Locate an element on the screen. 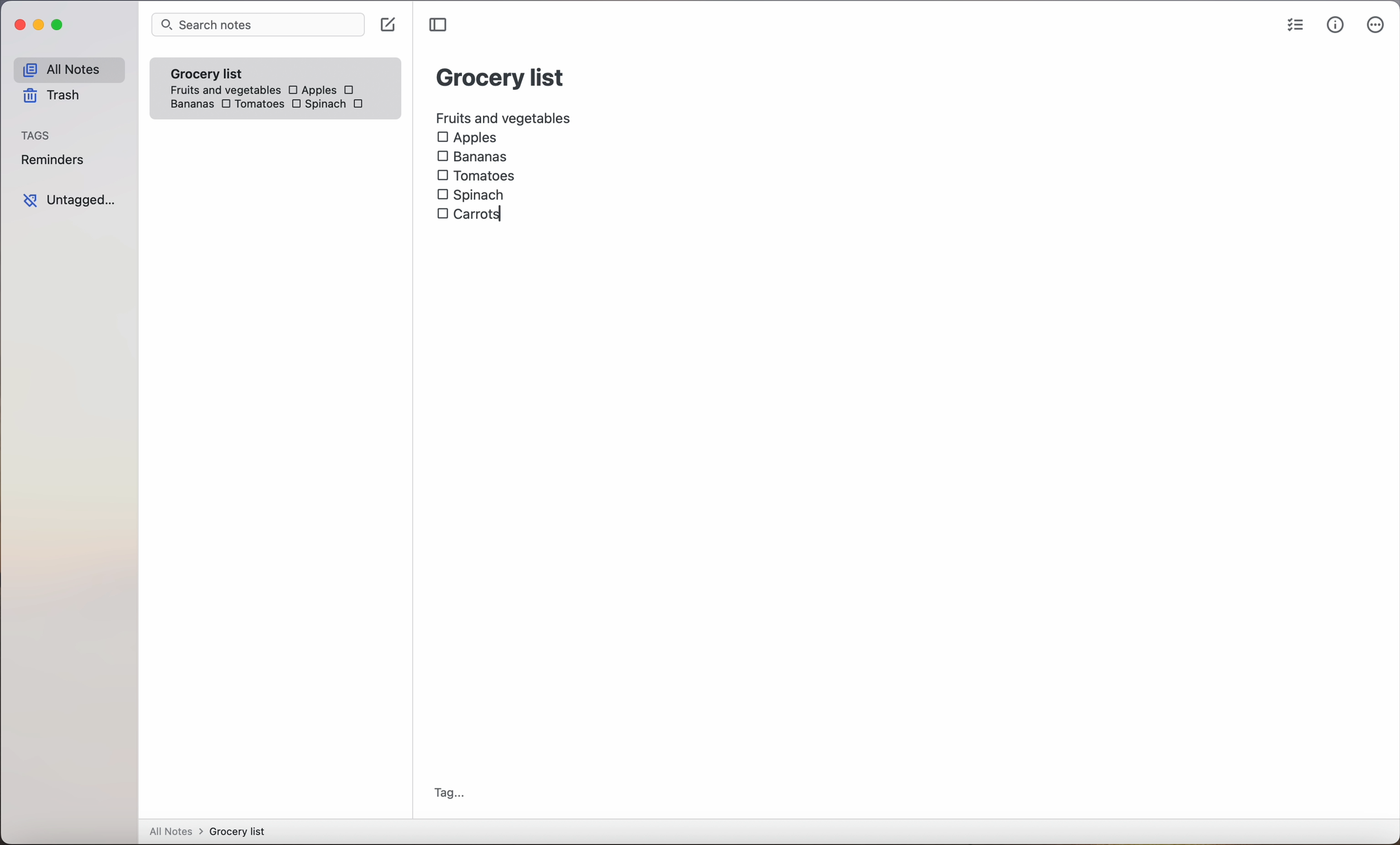  Bananas checkbox is located at coordinates (474, 158).